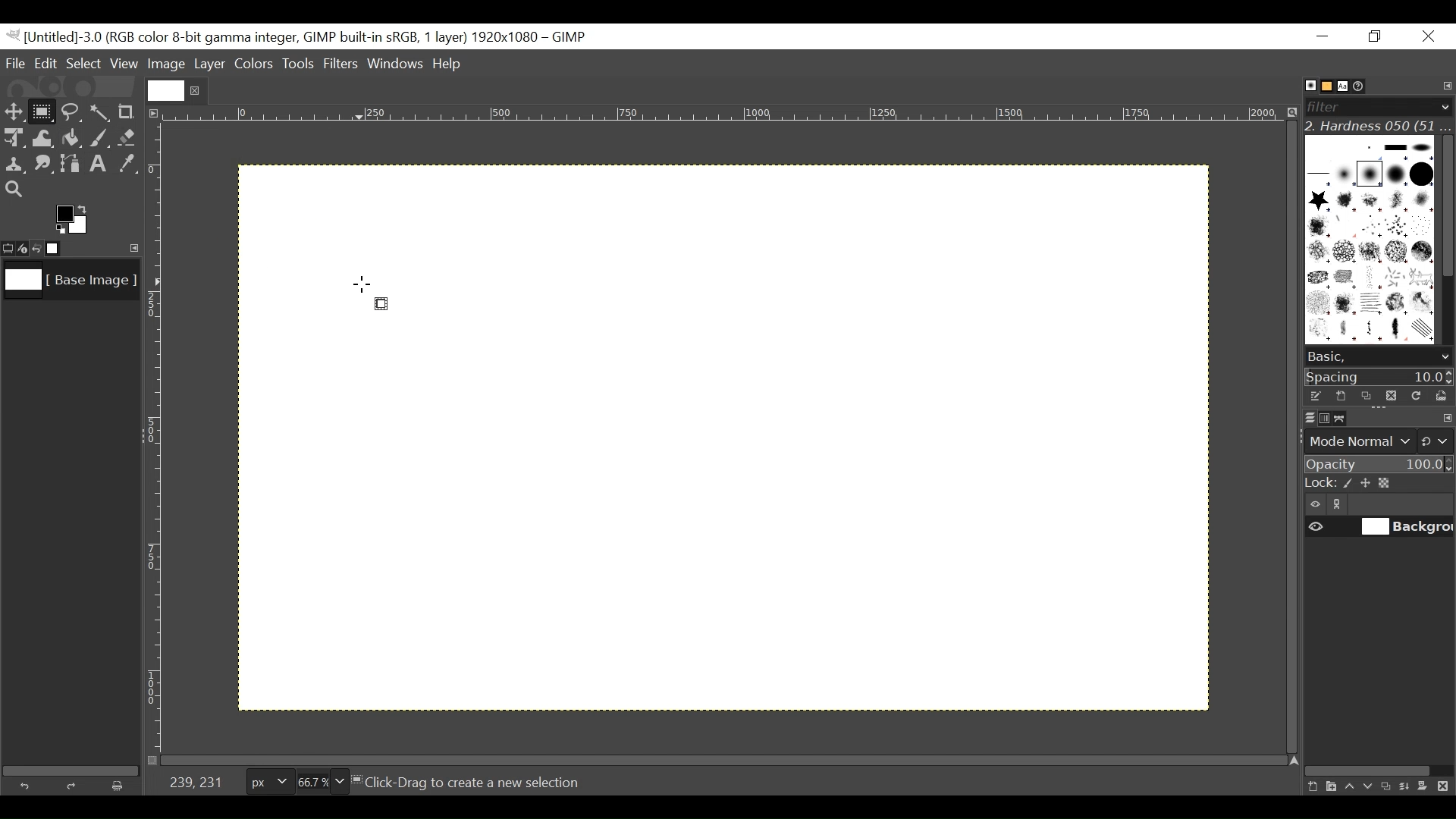  Describe the element at coordinates (101, 165) in the screenshot. I see `Text tool` at that location.